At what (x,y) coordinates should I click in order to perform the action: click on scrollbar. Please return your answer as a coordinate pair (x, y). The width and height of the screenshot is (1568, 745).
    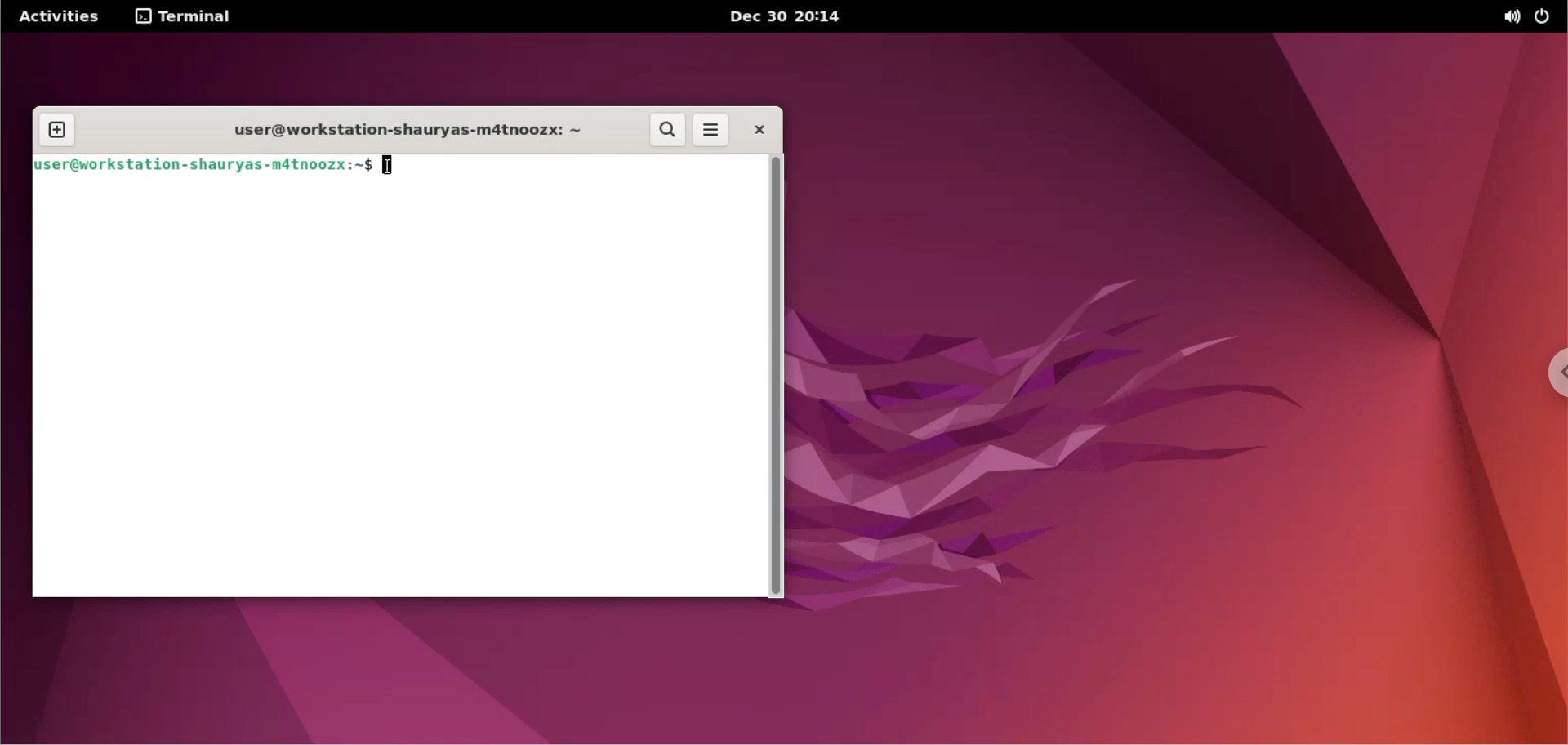
    Looking at the image, I should click on (775, 377).